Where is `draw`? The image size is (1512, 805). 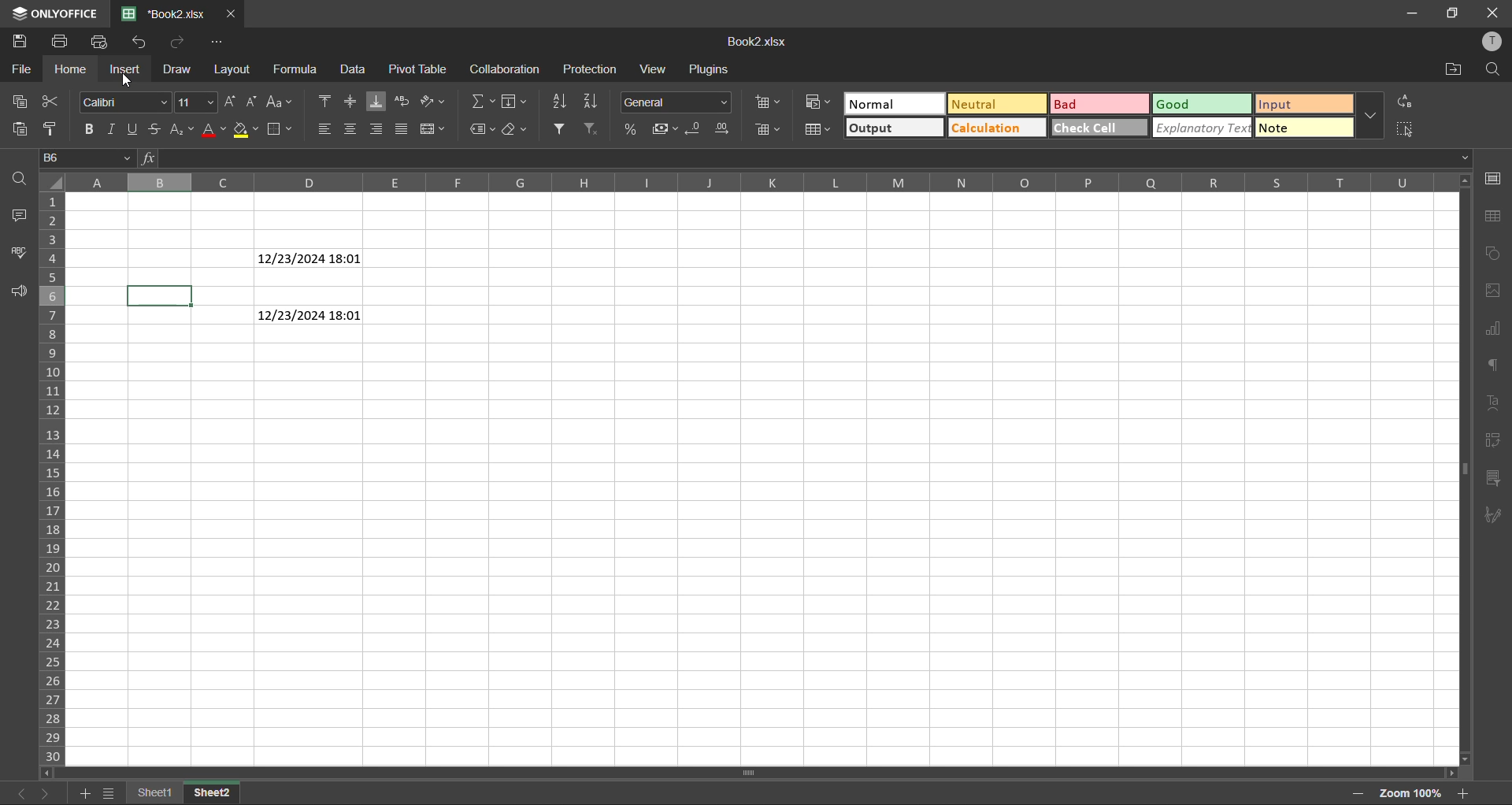 draw is located at coordinates (176, 69).